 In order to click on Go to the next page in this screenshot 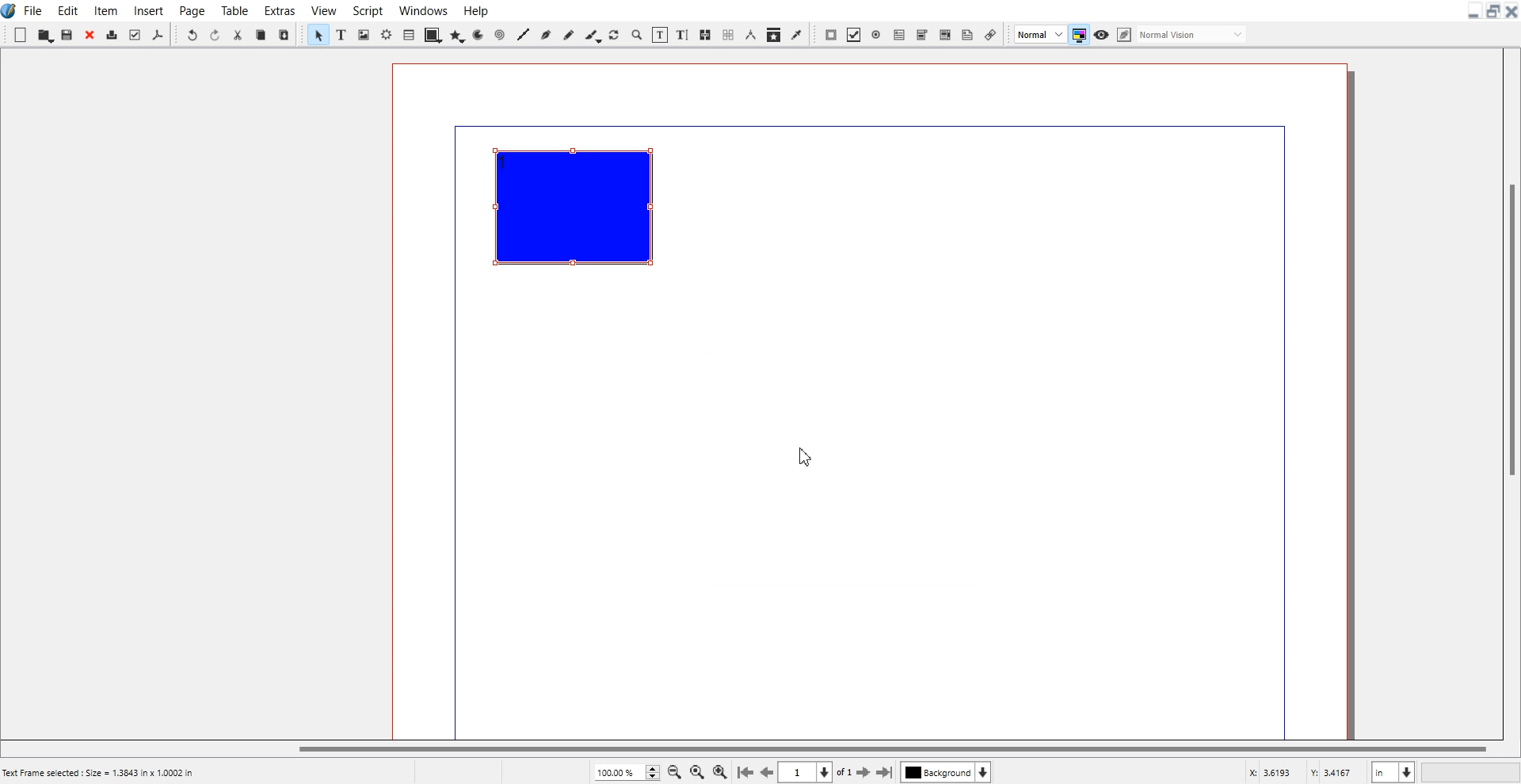, I will do `click(863, 773)`.